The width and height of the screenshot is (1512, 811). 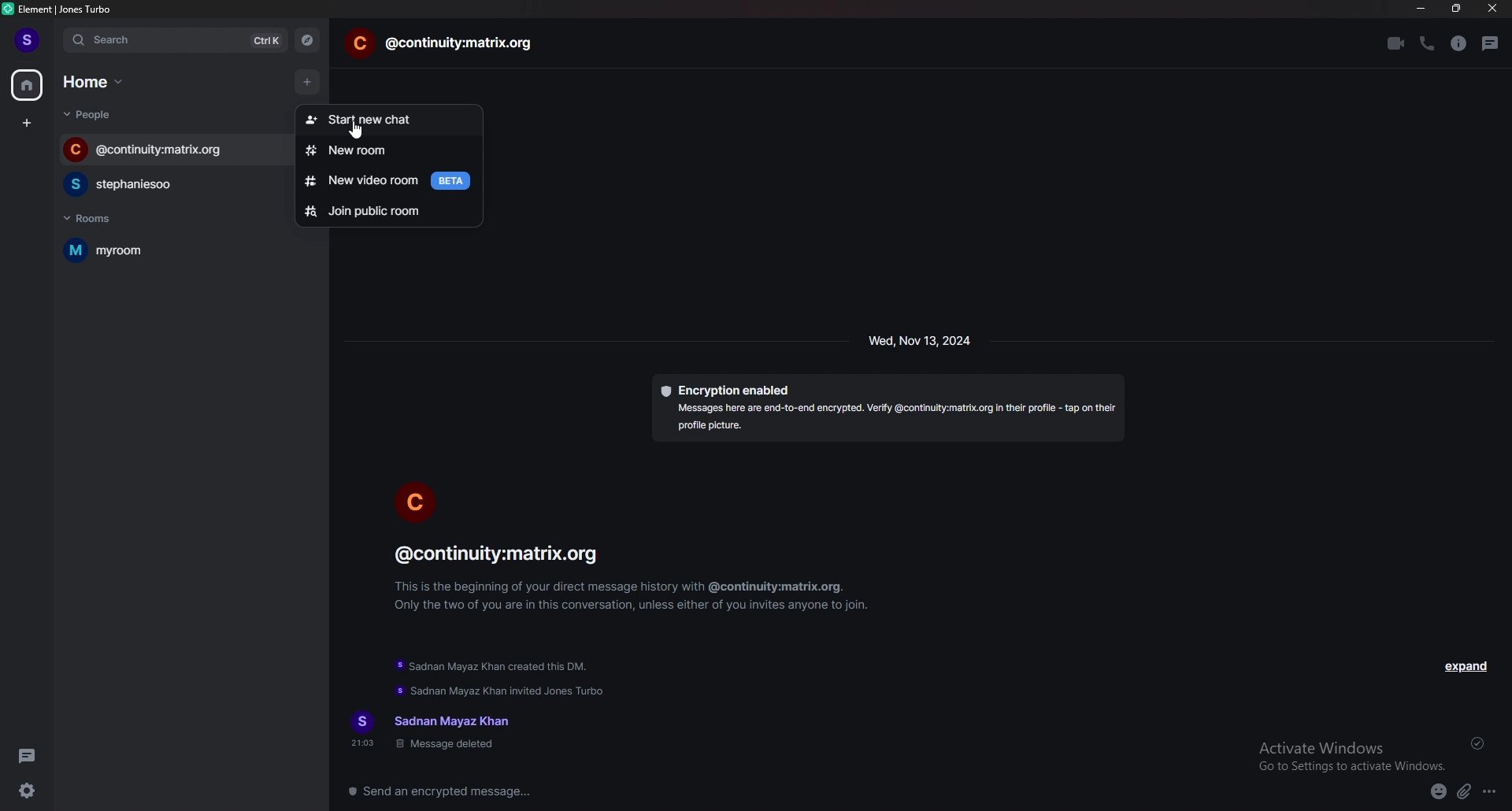 What do you see at coordinates (494, 668) in the screenshot?
I see `update` at bounding box center [494, 668].